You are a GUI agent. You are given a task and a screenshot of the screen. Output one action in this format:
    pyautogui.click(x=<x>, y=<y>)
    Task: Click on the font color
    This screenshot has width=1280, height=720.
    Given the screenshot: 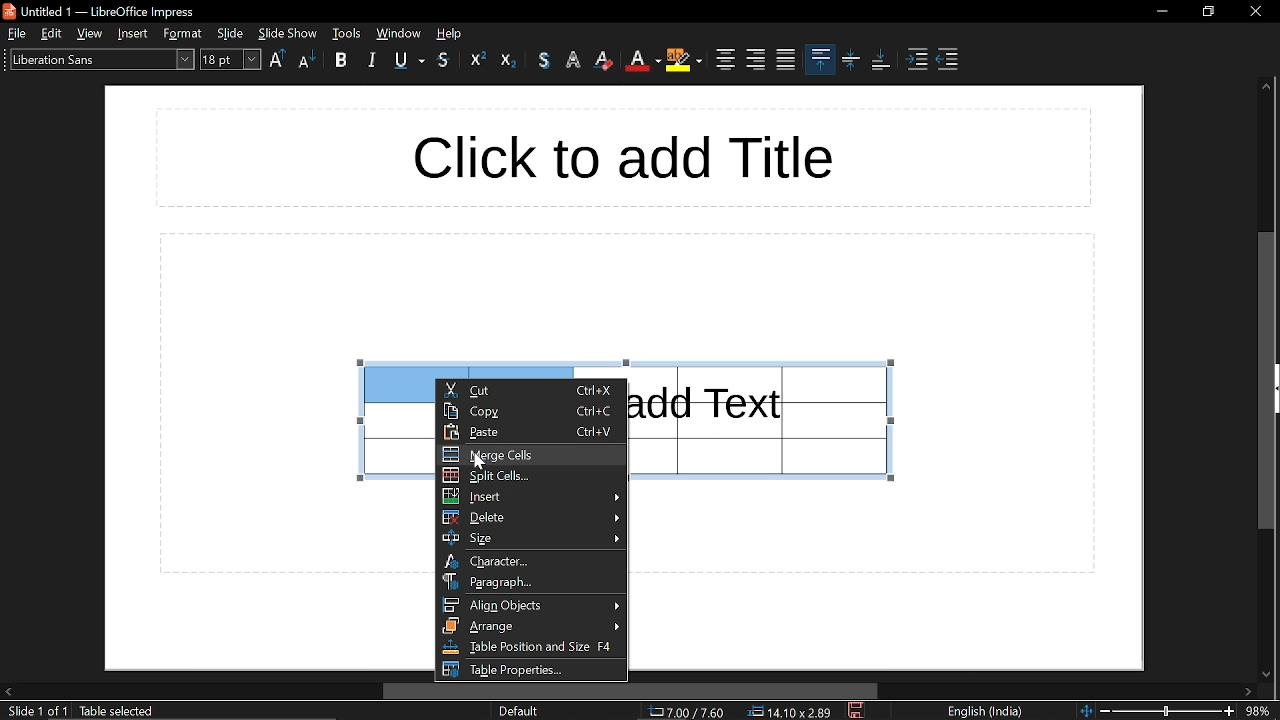 What is the action you would take?
    pyautogui.click(x=642, y=61)
    